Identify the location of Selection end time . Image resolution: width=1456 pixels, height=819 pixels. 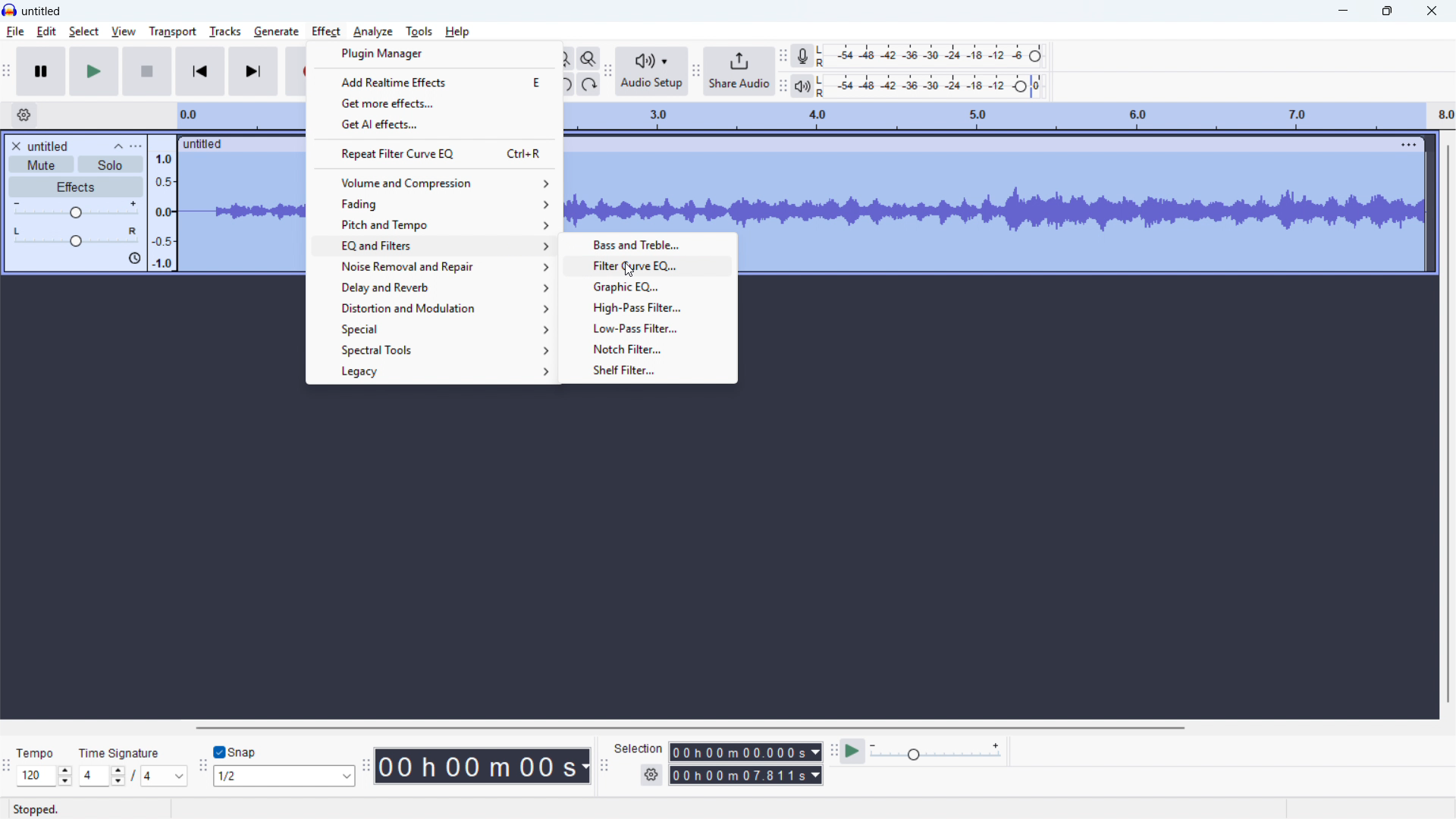
(747, 776).